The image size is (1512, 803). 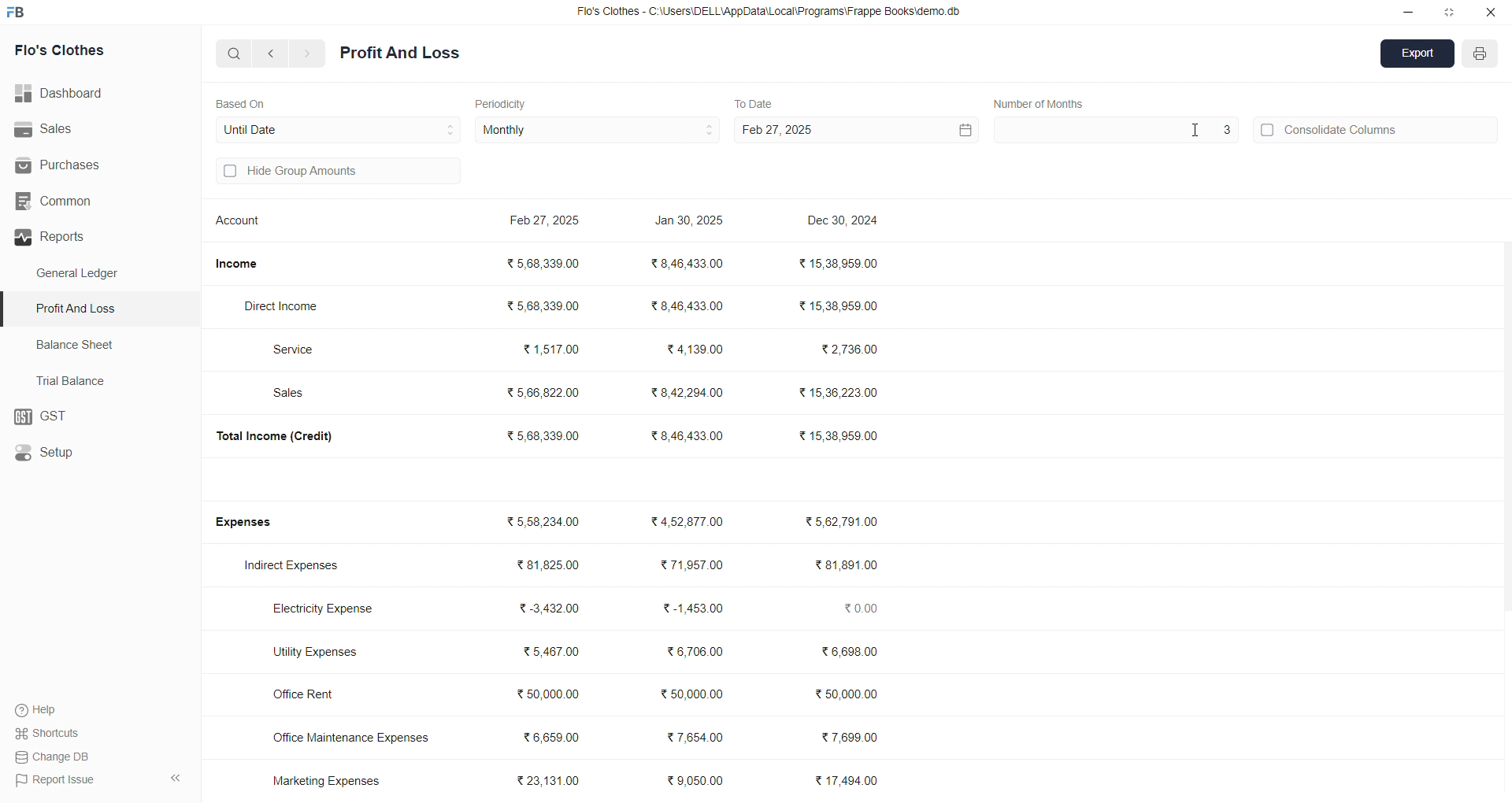 I want to click on ₹3,432.00, so click(x=551, y=609).